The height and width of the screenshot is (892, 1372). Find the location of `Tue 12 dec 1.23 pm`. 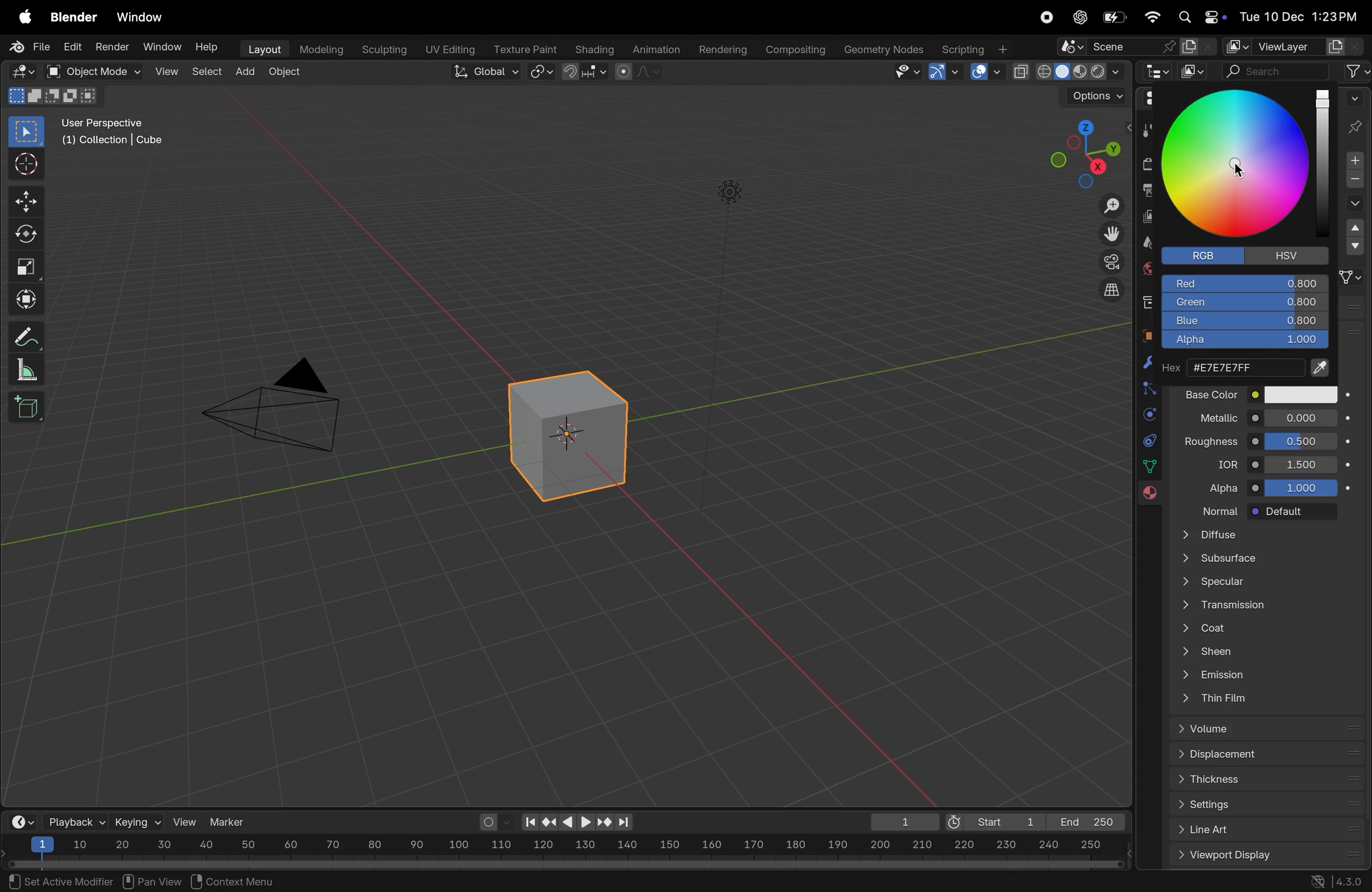

Tue 12 dec 1.23 pm is located at coordinates (1297, 17).